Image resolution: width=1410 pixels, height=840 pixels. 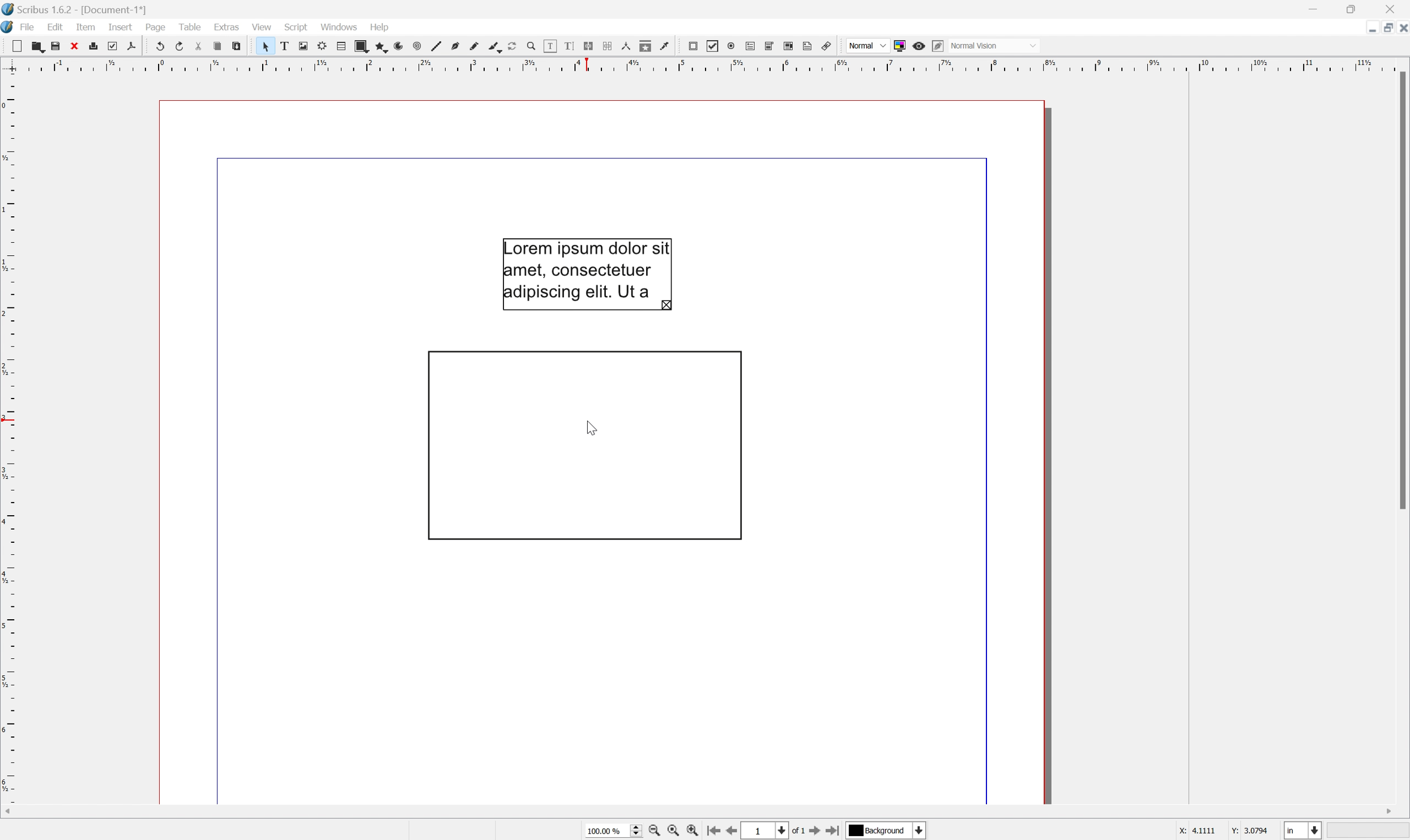 I want to click on PDF radio button, so click(x=730, y=46).